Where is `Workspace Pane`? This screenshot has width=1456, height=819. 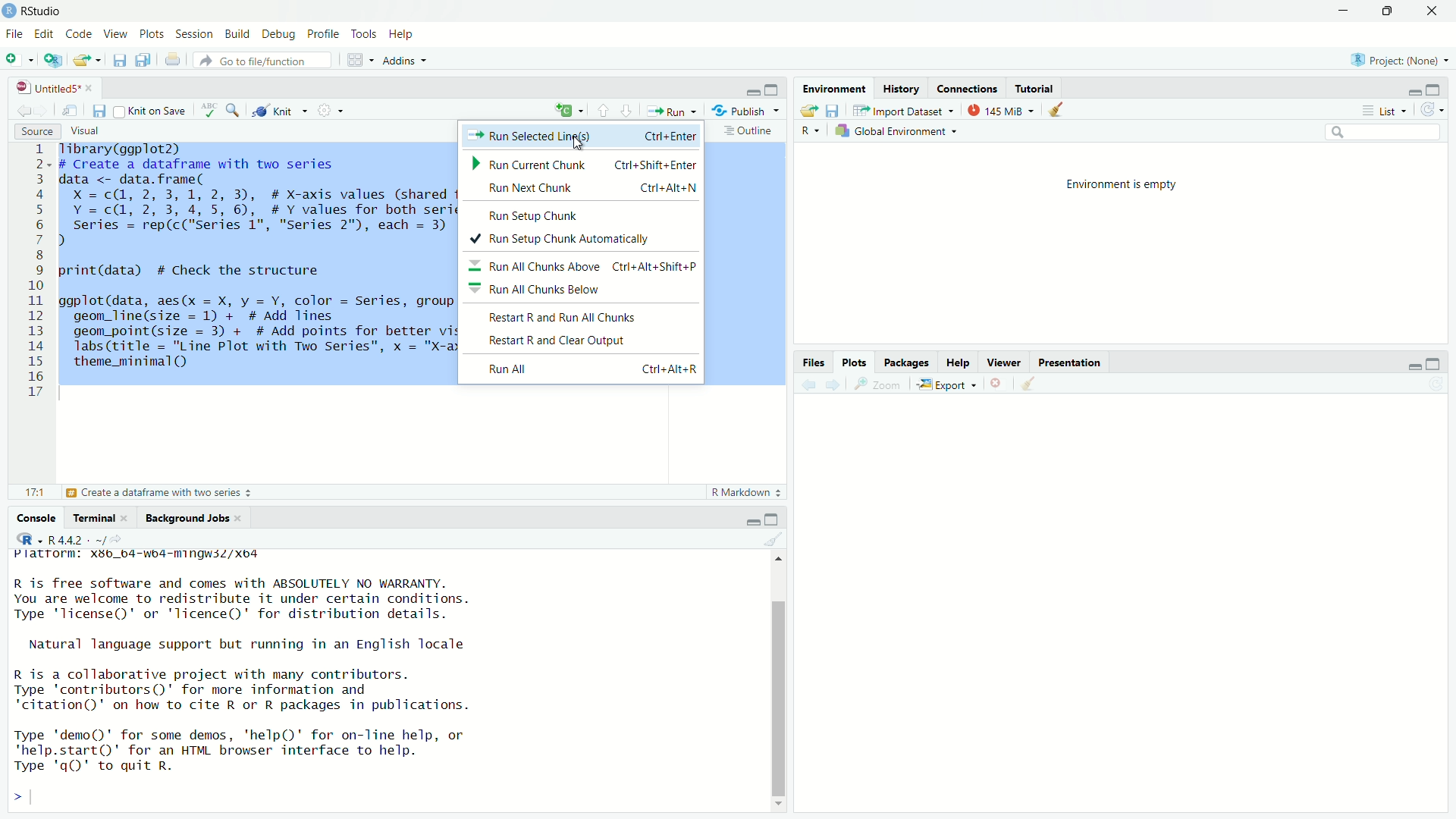
Workspace Pane is located at coordinates (359, 61).